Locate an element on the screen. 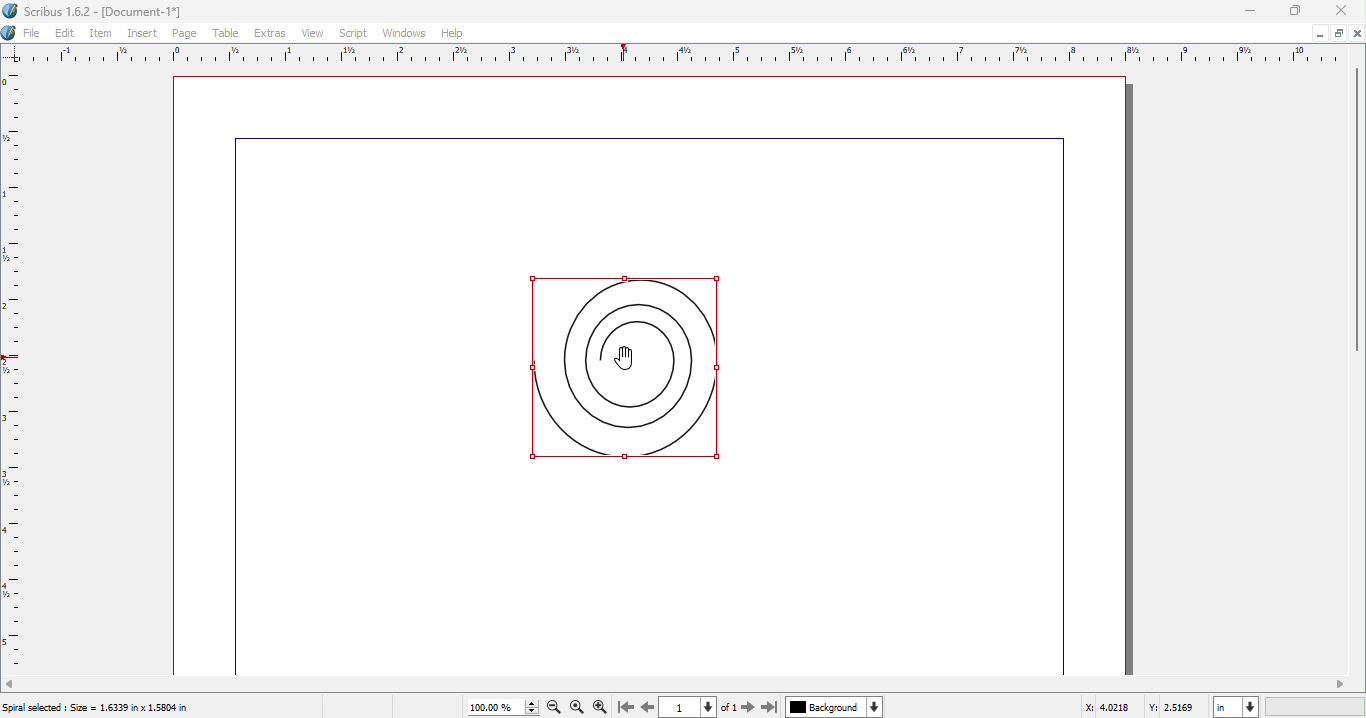 The image size is (1366, 718). Select the current layer is located at coordinates (824, 707).